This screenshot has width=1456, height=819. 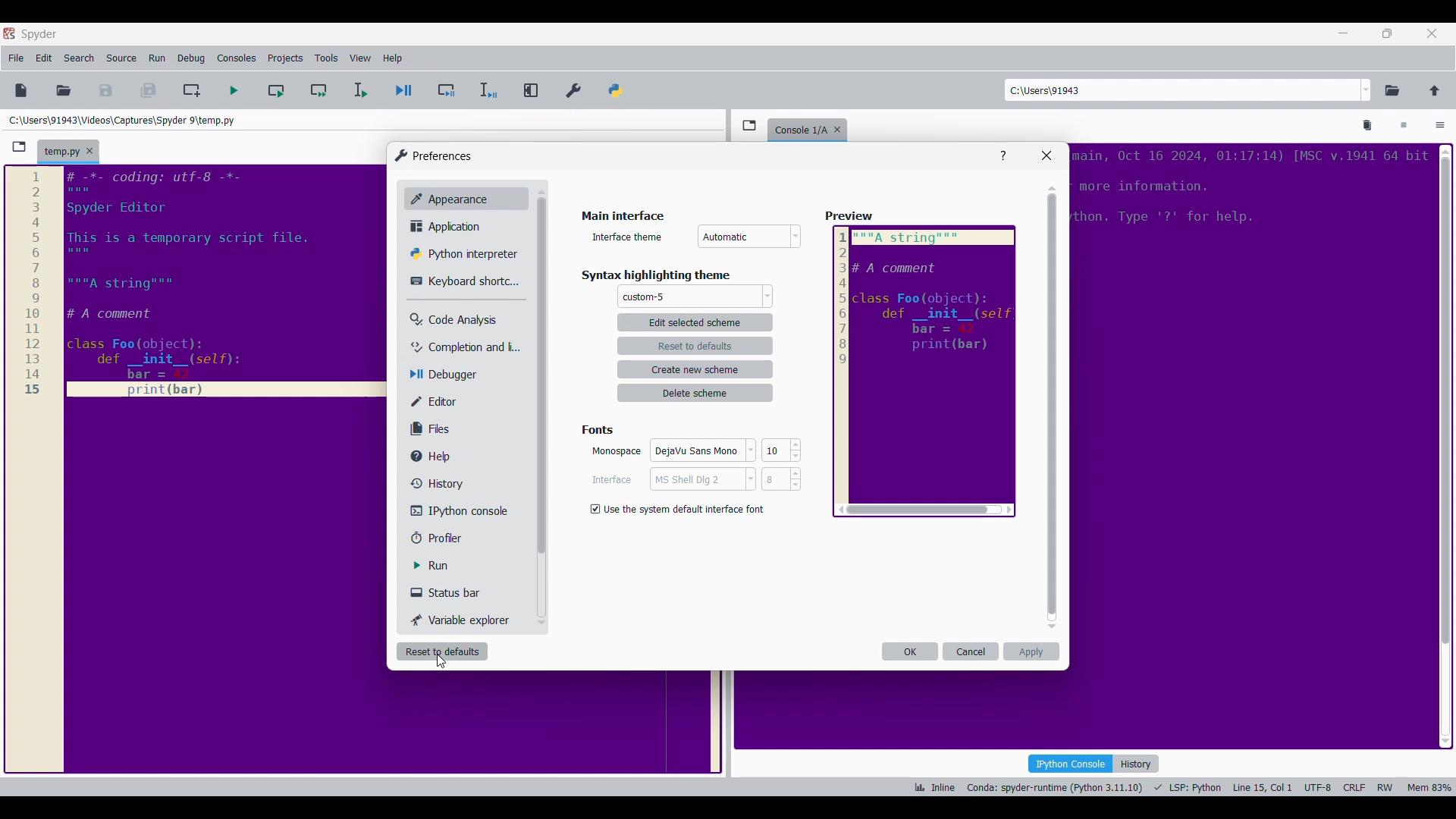 I want to click on Current code, so click(x=196, y=284).